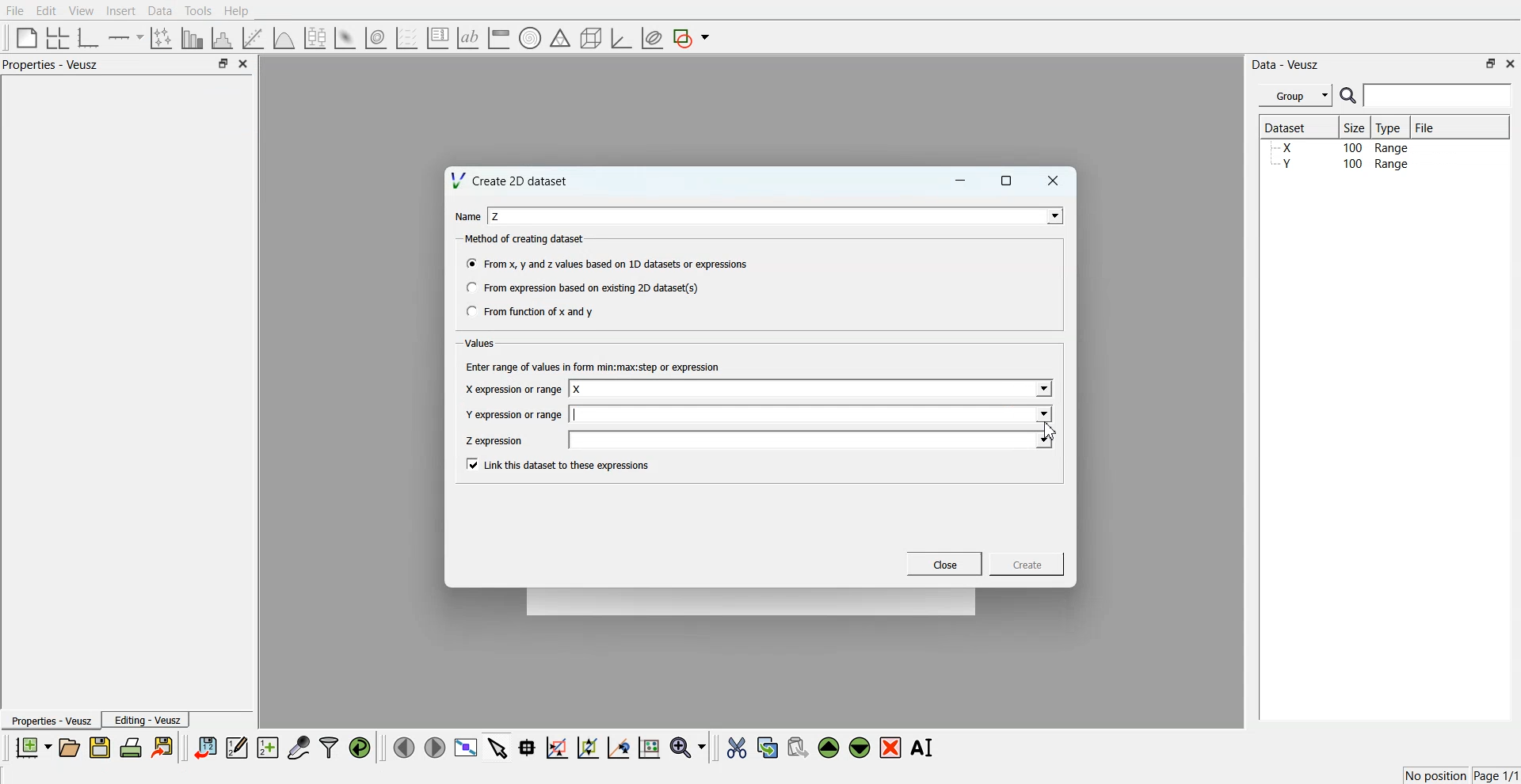 Image resolution: width=1521 pixels, height=784 pixels. What do you see at coordinates (1027, 563) in the screenshot?
I see `Create` at bounding box center [1027, 563].